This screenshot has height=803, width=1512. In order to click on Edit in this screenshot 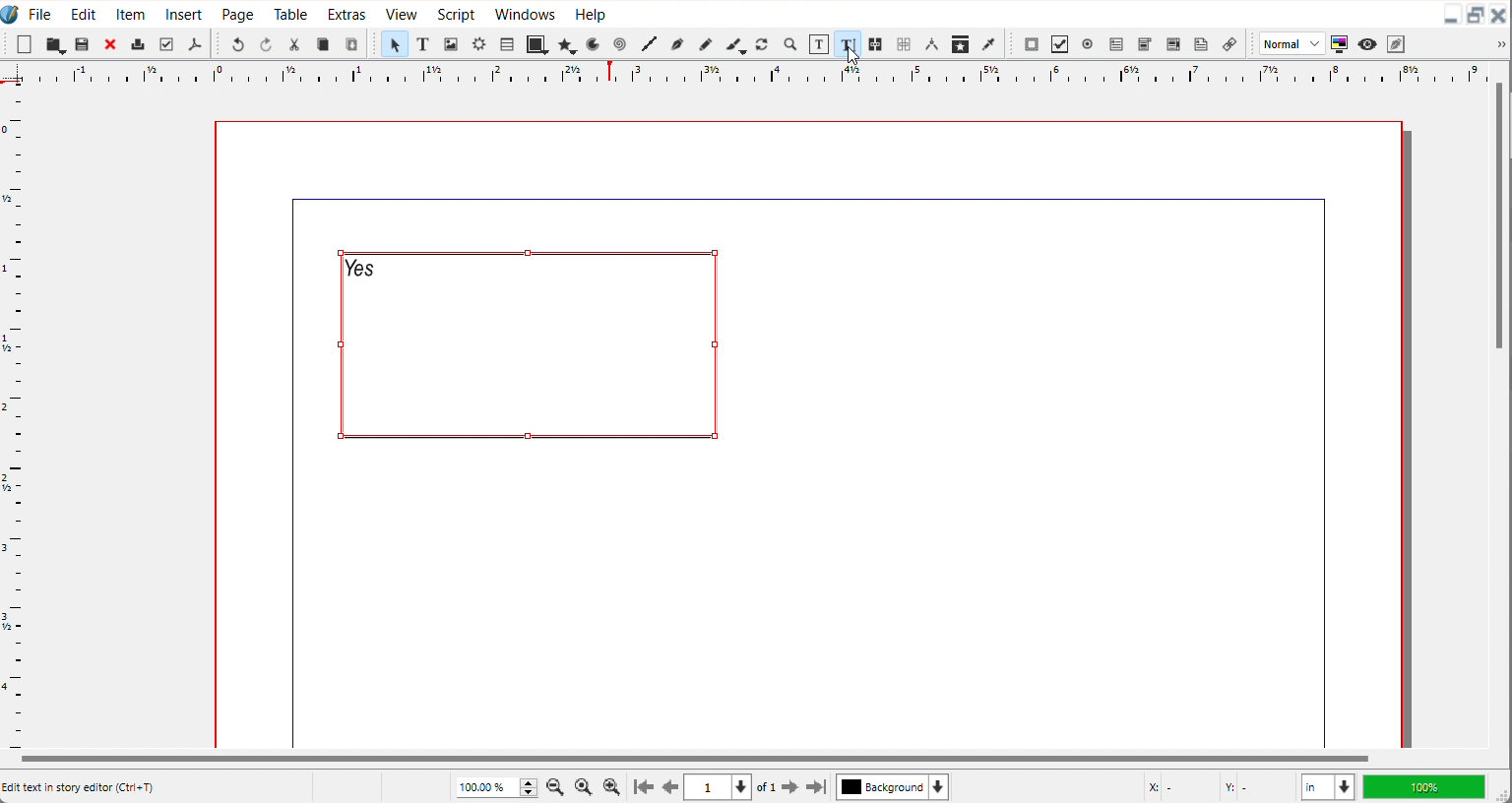, I will do `click(81, 13)`.